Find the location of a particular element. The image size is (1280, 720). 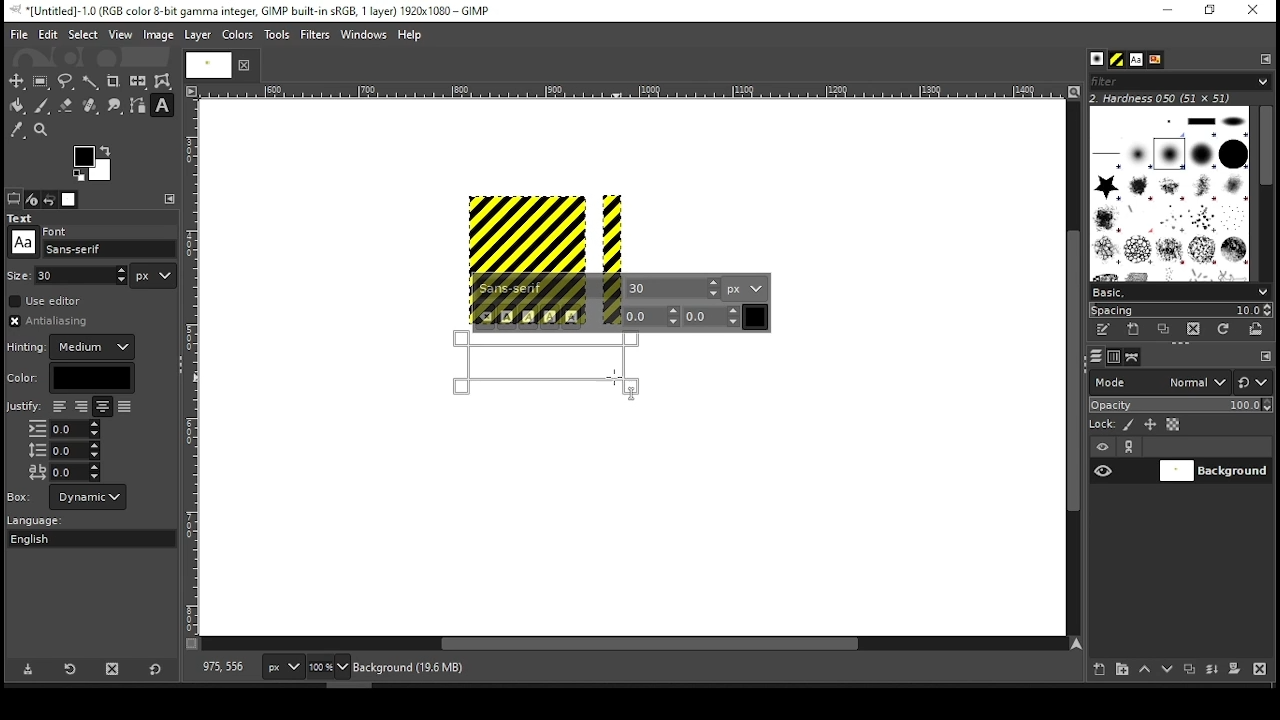

 is located at coordinates (205, 64).